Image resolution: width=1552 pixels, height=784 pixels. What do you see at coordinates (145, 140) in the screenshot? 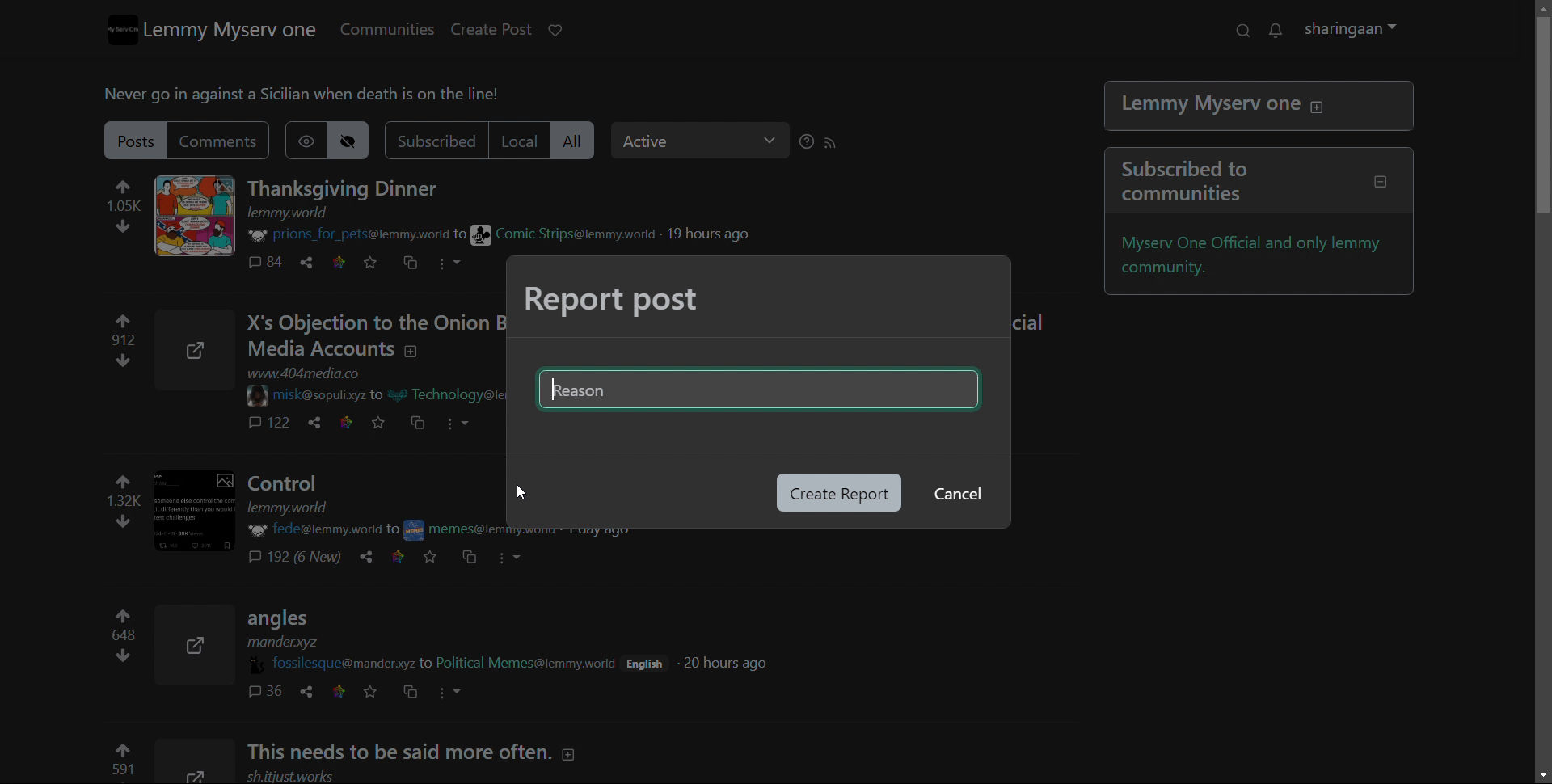
I see `posts` at bounding box center [145, 140].